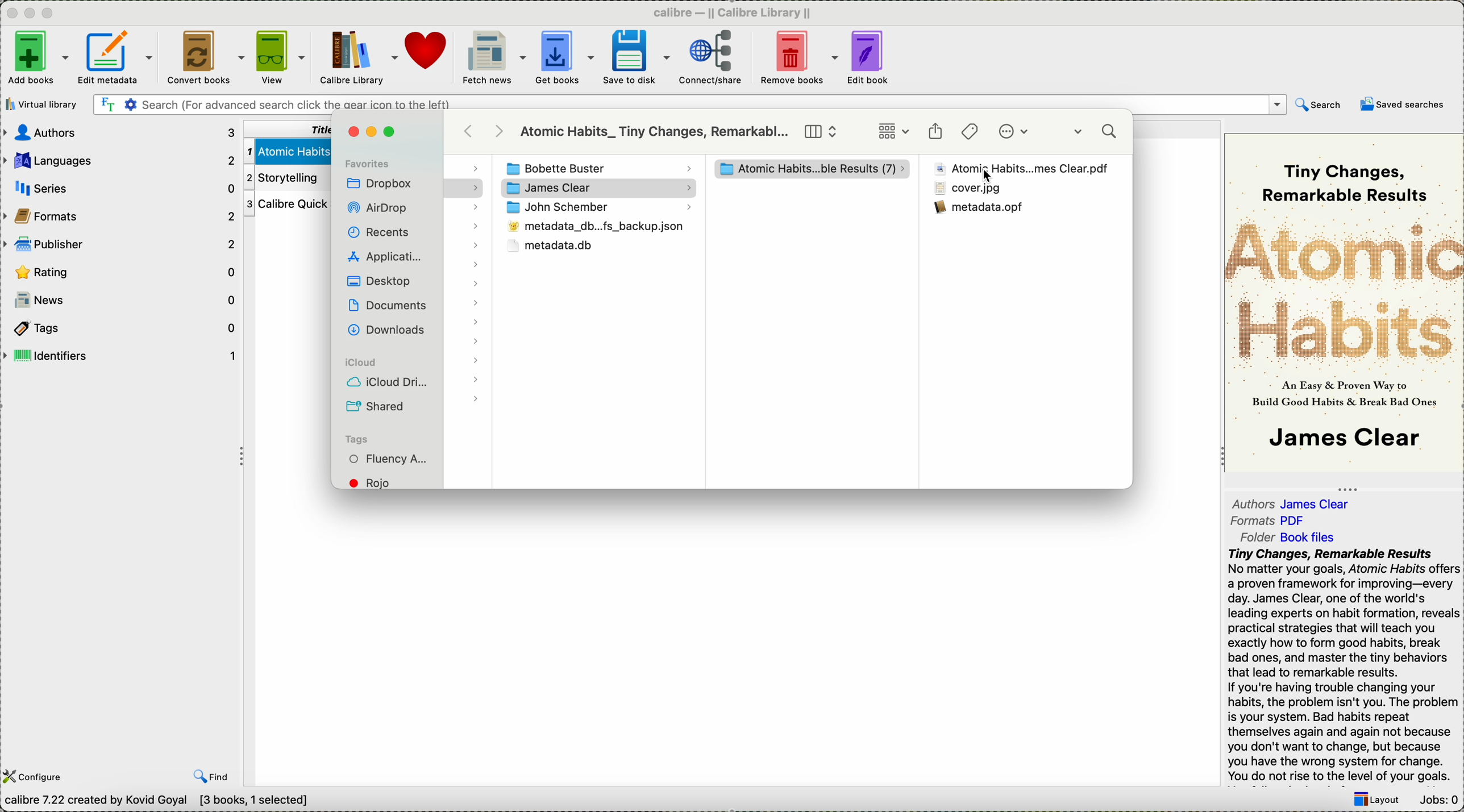 Image resolution: width=1464 pixels, height=812 pixels. What do you see at coordinates (984, 177) in the screenshot?
I see `Cursor` at bounding box center [984, 177].